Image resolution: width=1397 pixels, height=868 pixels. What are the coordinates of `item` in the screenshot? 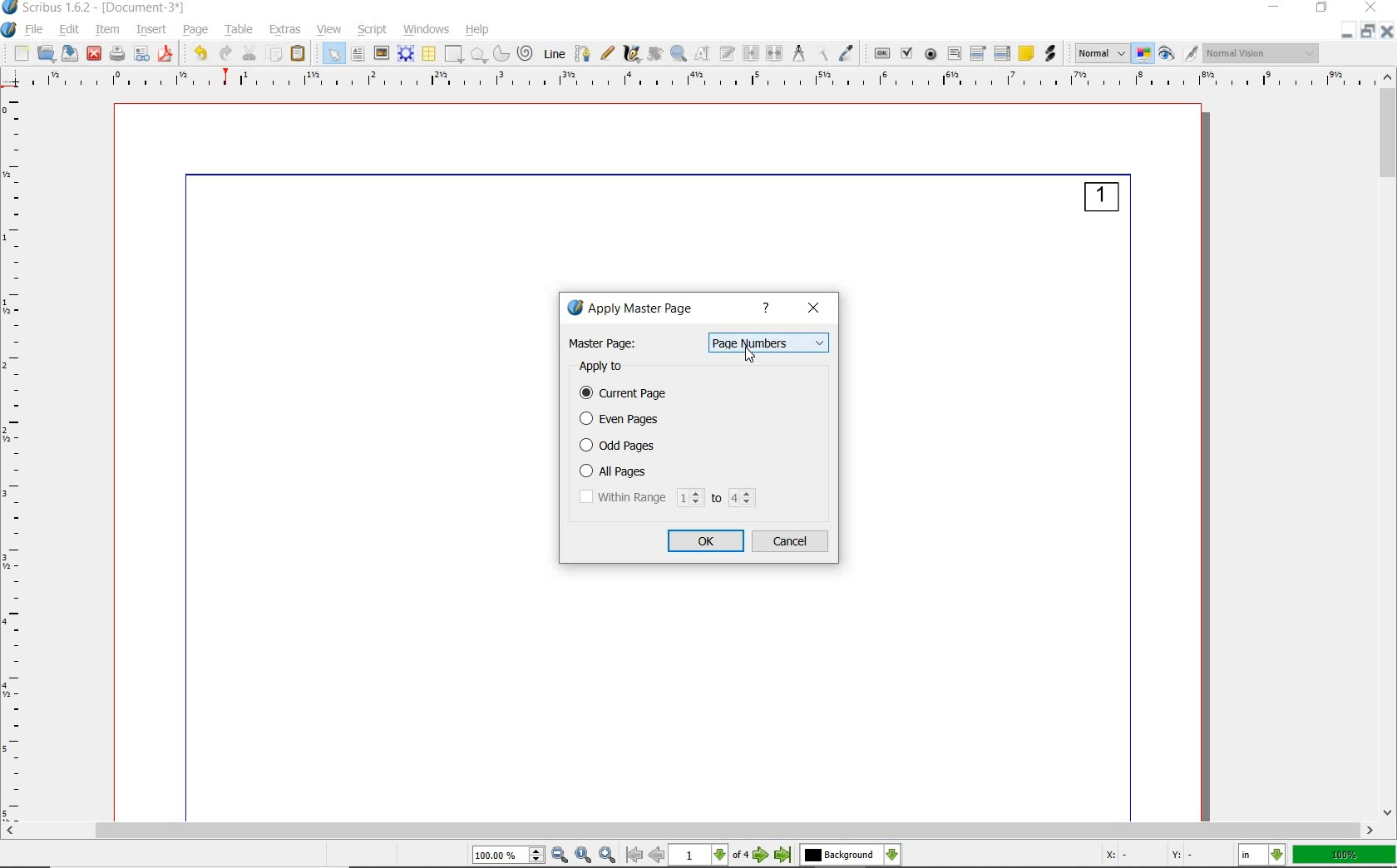 It's located at (107, 30).